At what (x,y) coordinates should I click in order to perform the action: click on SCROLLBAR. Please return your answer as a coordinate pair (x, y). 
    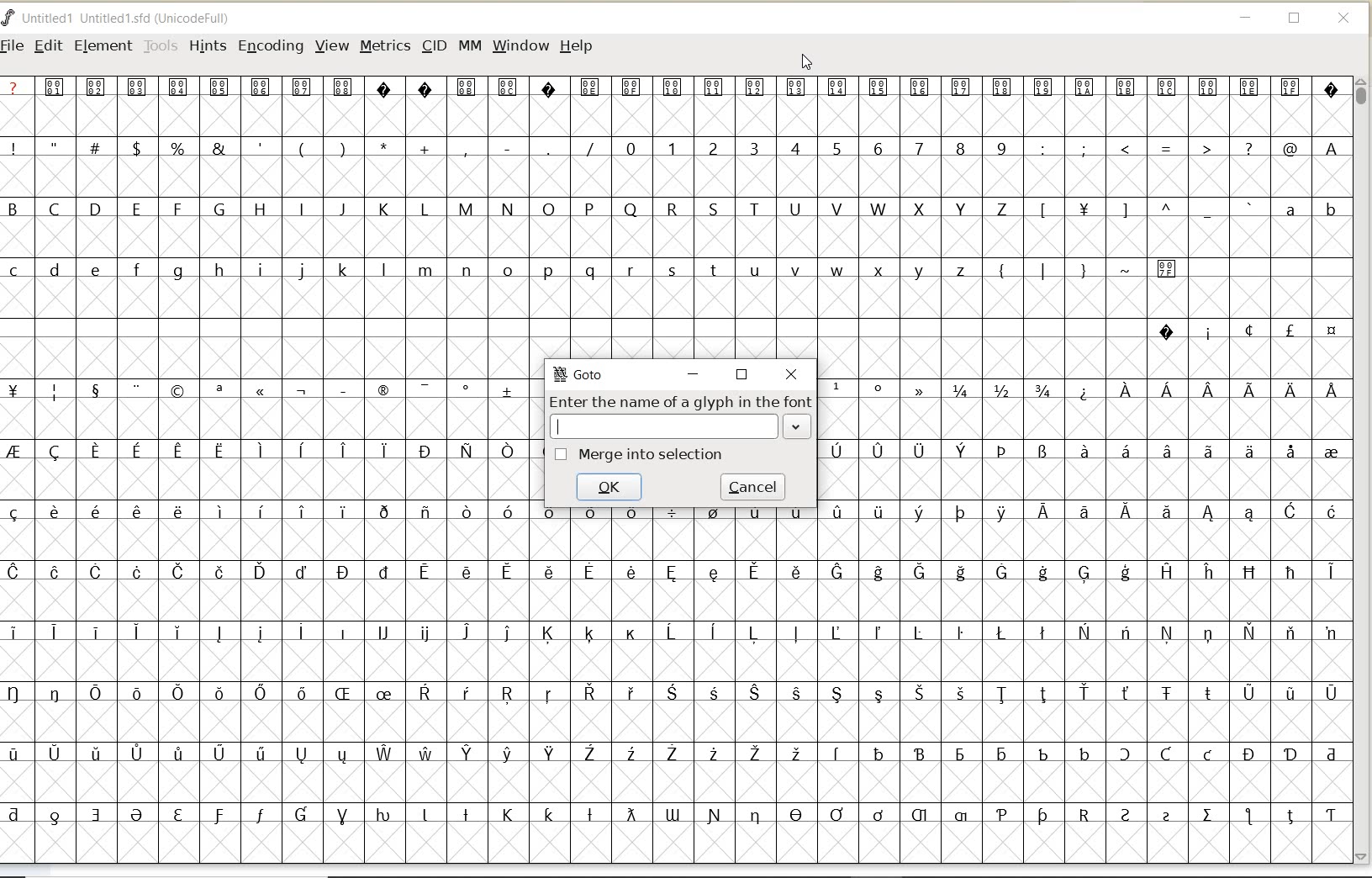
    Looking at the image, I should click on (1364, 470).